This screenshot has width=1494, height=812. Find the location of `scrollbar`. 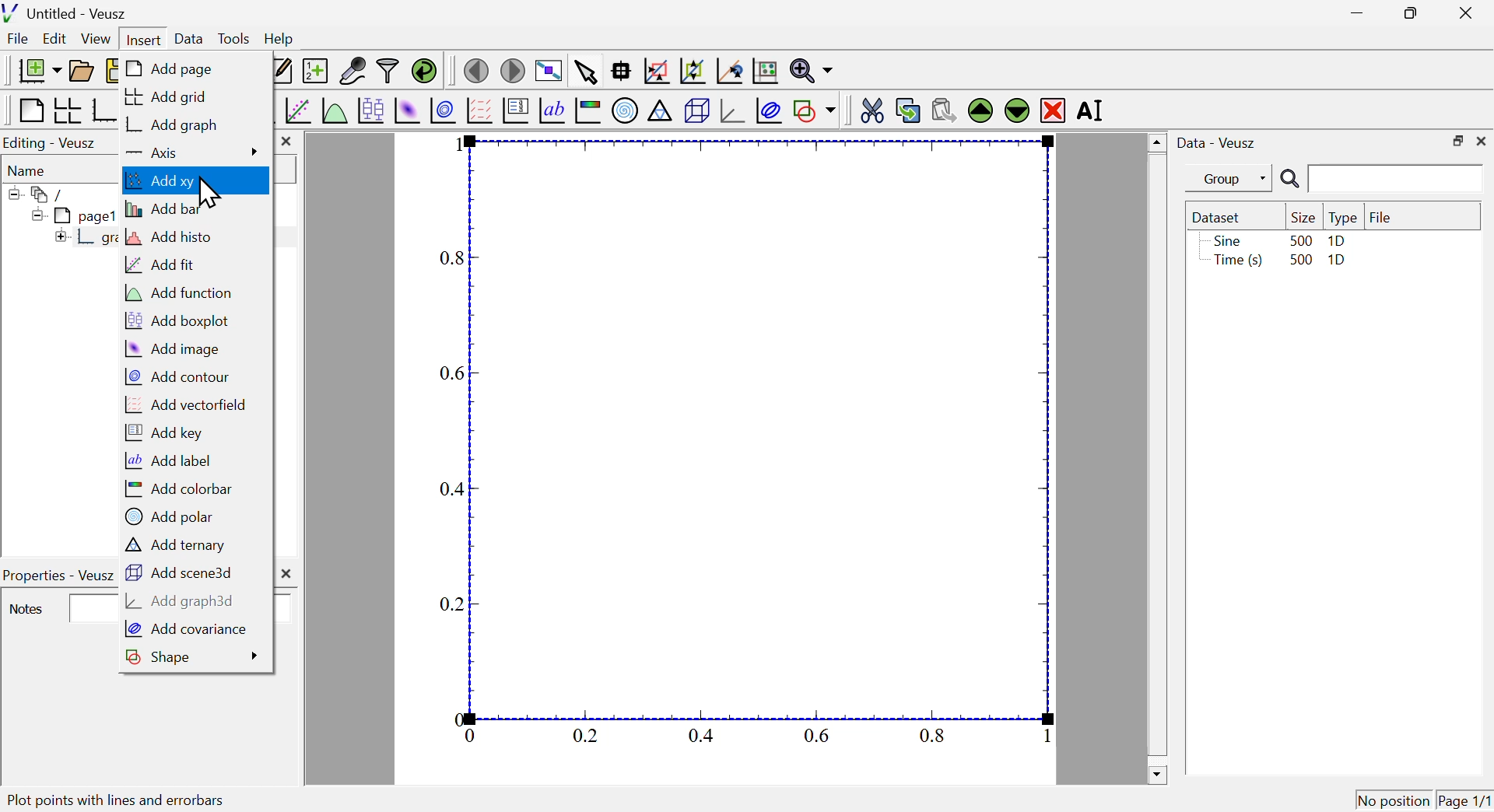

scrollbar is located at coordinates (1156, 458).